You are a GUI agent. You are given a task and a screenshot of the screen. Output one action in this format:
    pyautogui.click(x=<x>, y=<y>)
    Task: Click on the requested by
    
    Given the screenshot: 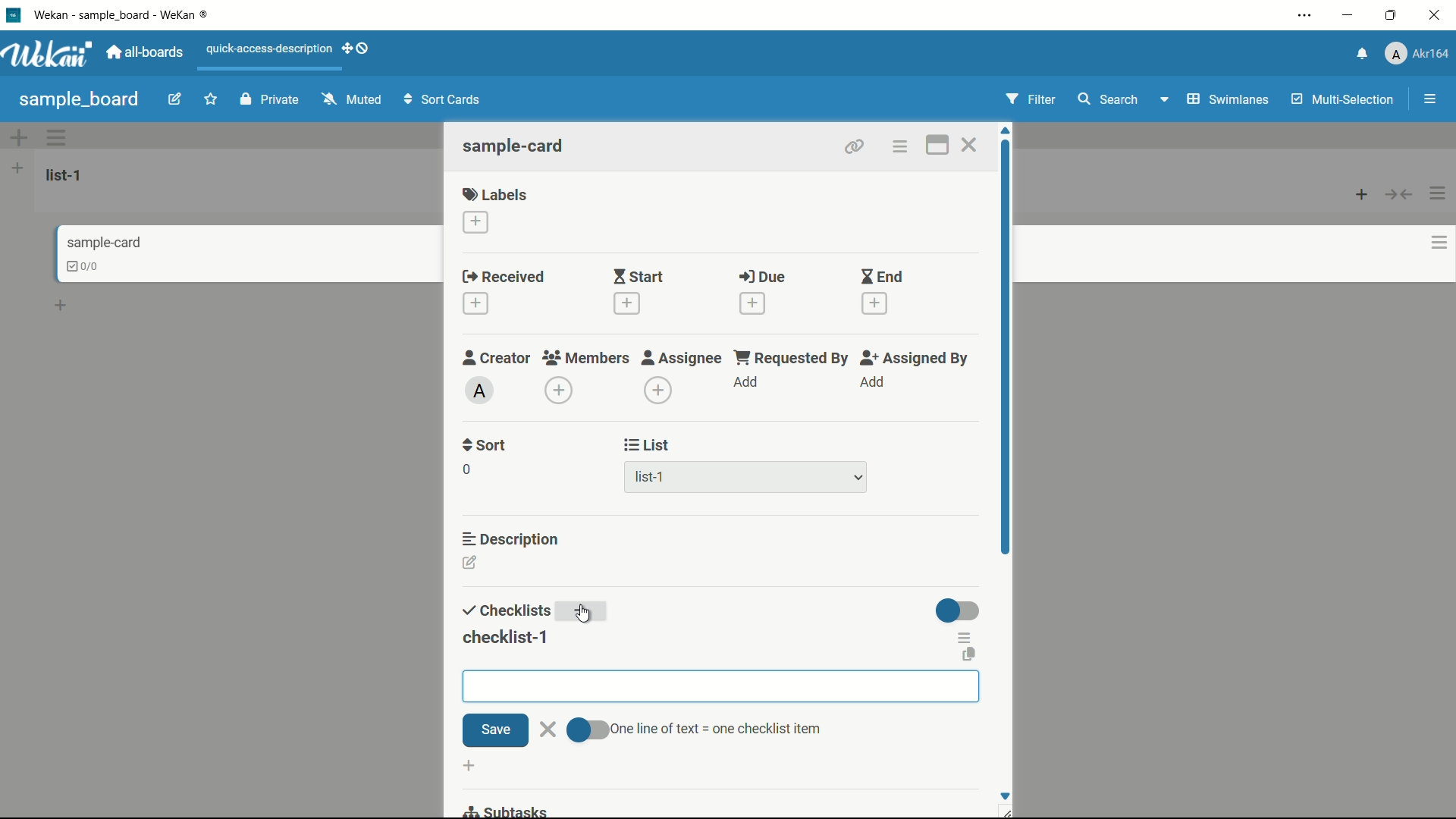 What is the action you would take?
    pyautogui.click(x=792, y=357)
    